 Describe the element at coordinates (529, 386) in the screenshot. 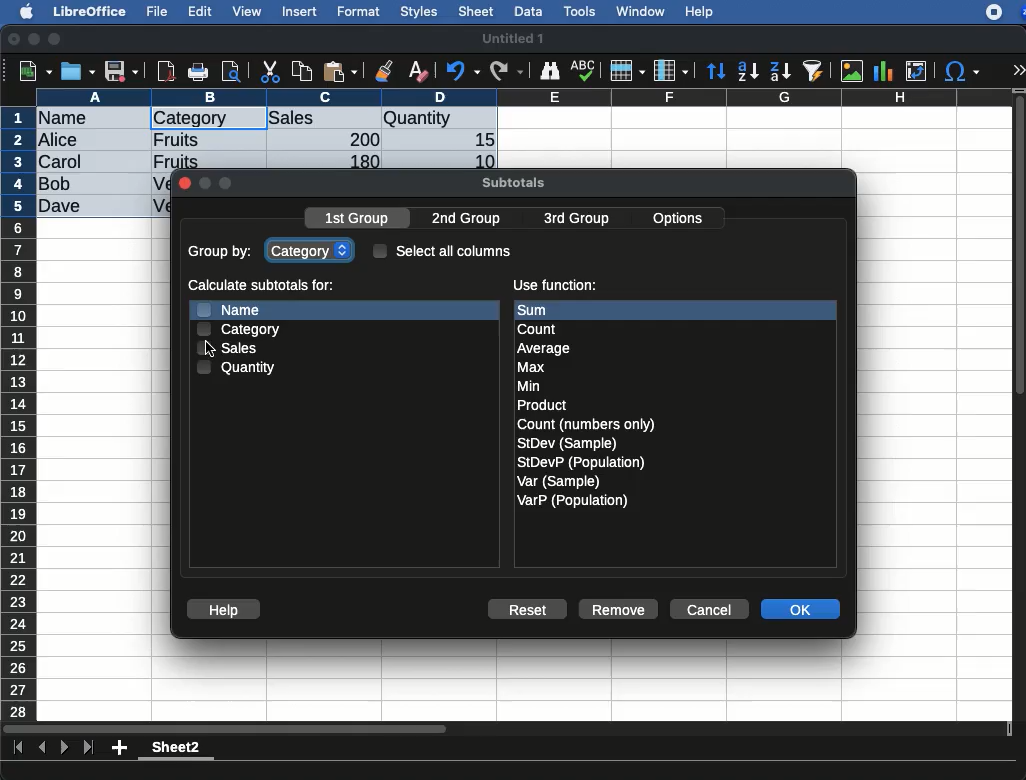

I see `Min` at that location.